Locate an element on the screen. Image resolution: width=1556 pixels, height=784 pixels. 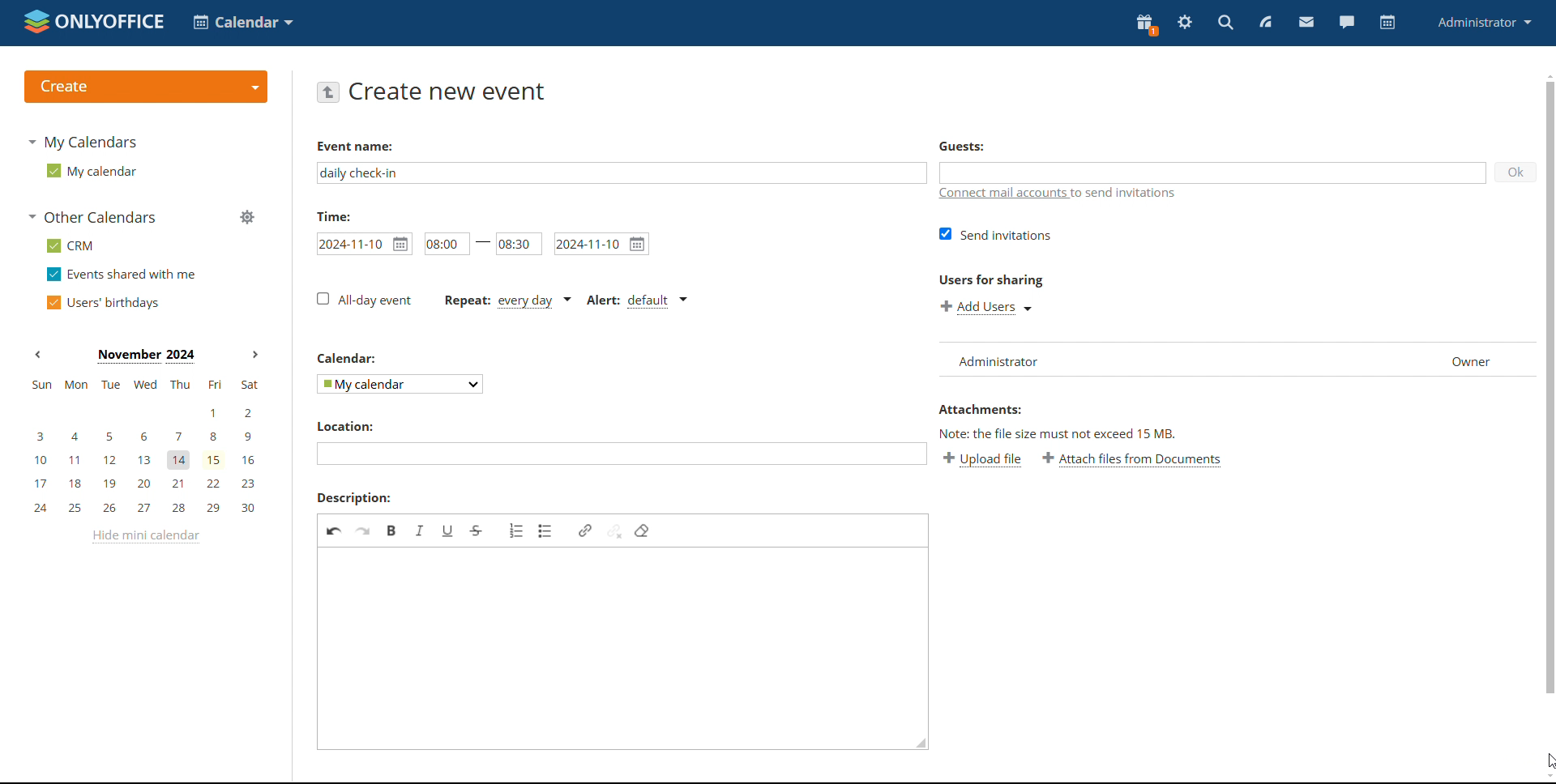
add event name is located at coordinates (621, 173).